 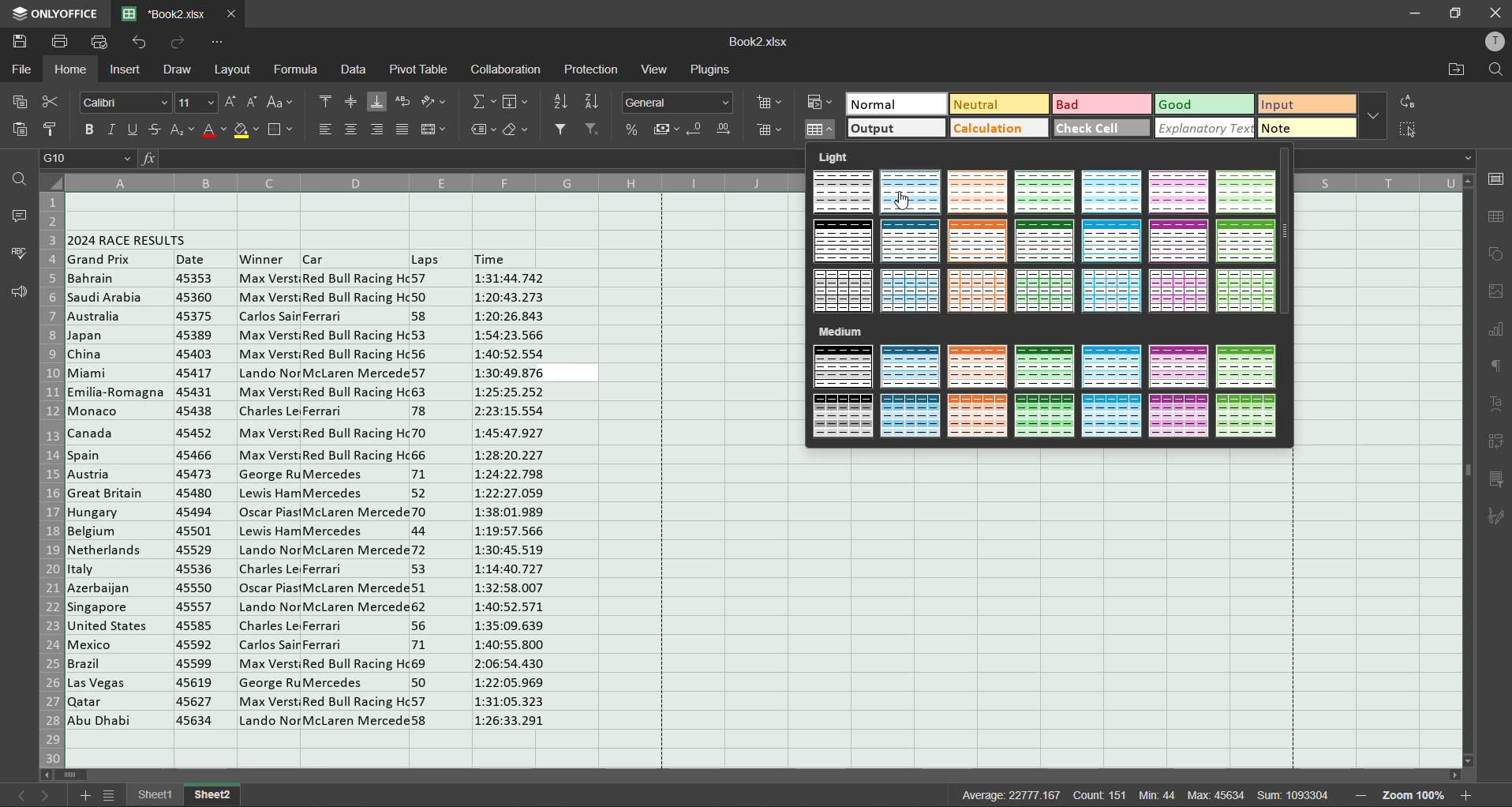 I want to click on light, so click(x=843, y=330).